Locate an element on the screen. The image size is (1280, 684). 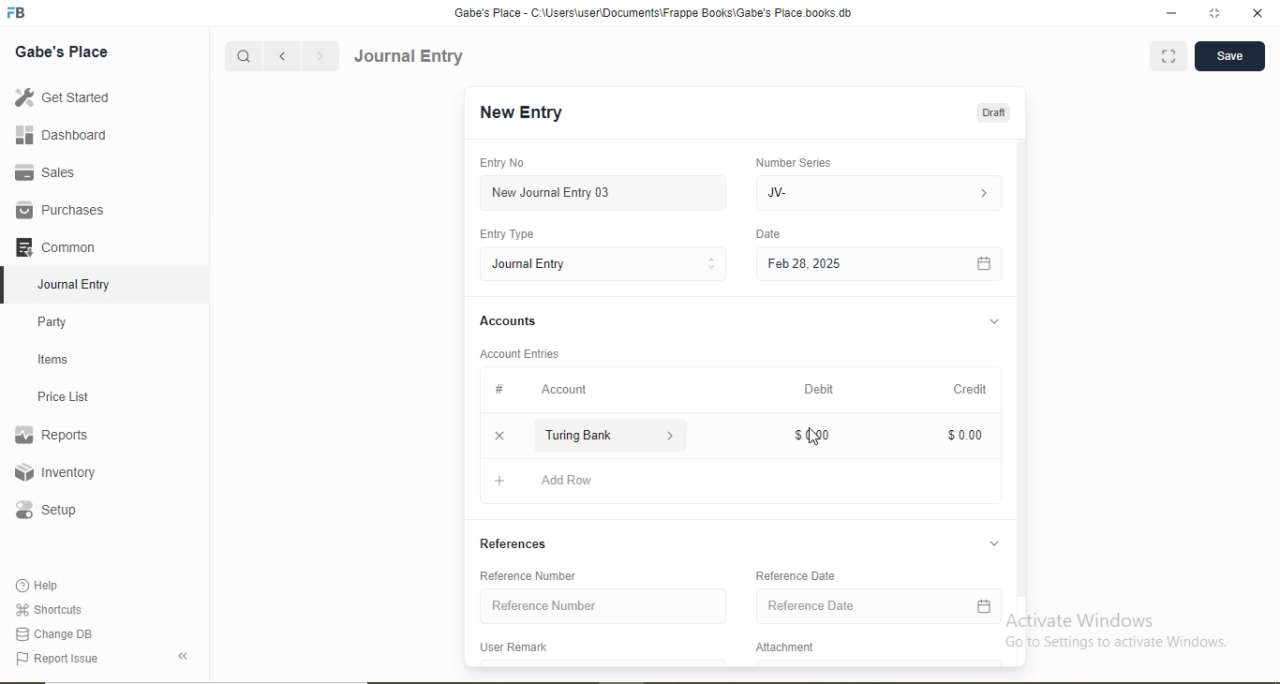
Shortcuts is located at coordinates (47, 609).